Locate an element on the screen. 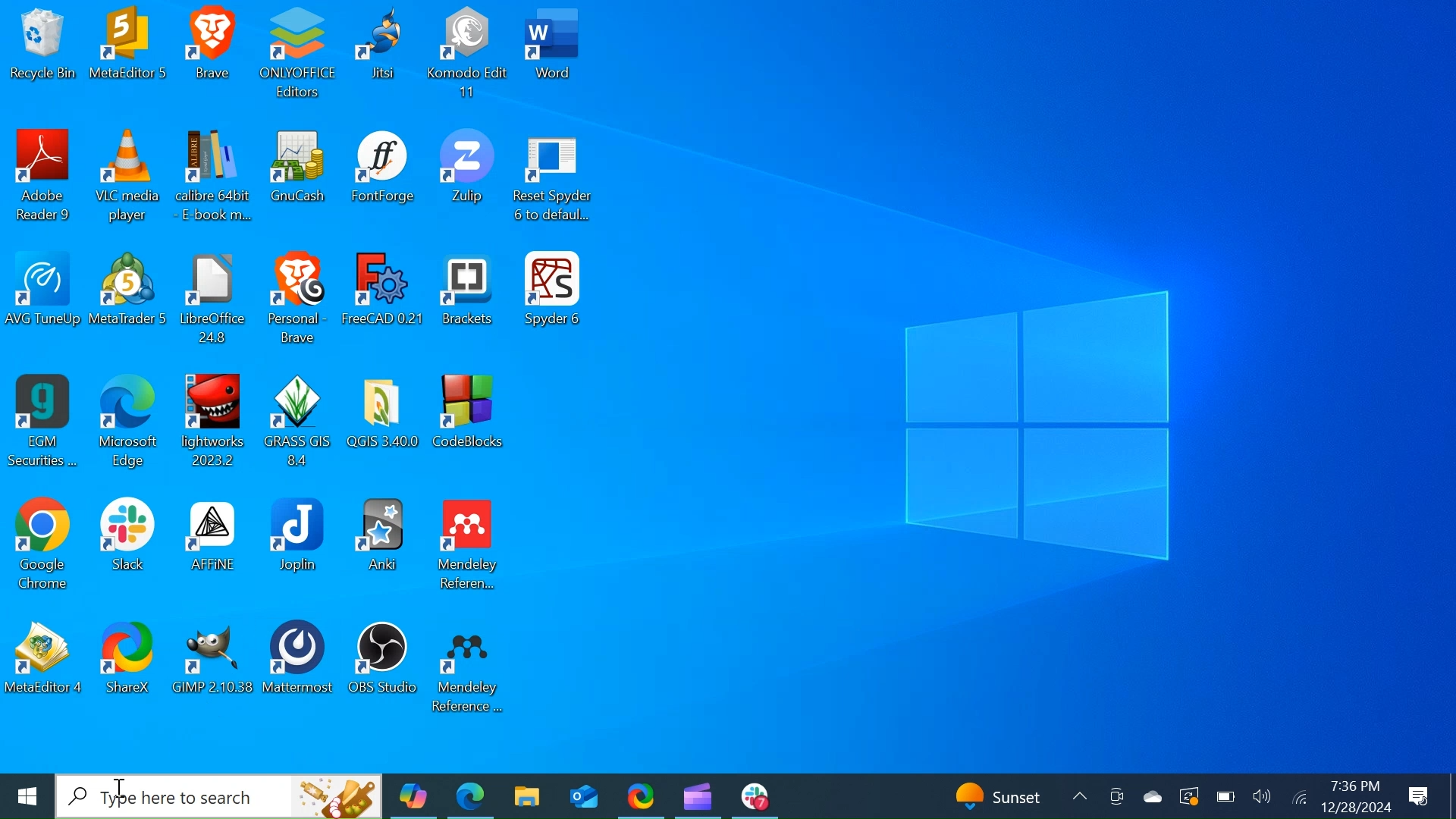  AVG TuneUp Desktop Icon is located at coordinates (43, 298).